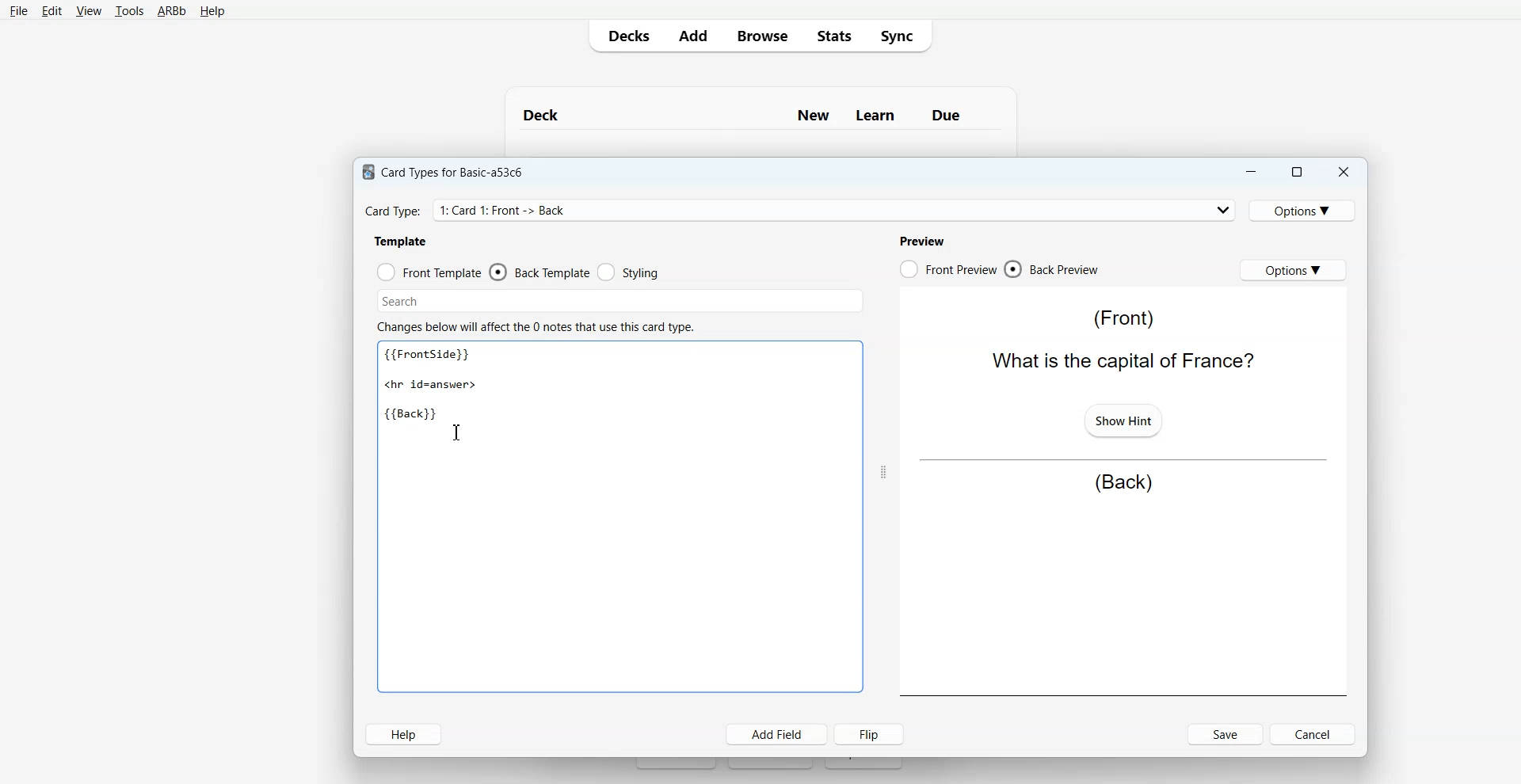 This screenshot has width=1521, height=784. Describe the element at coordinates (18, 10) in the screenshot. I see `File` at that location.